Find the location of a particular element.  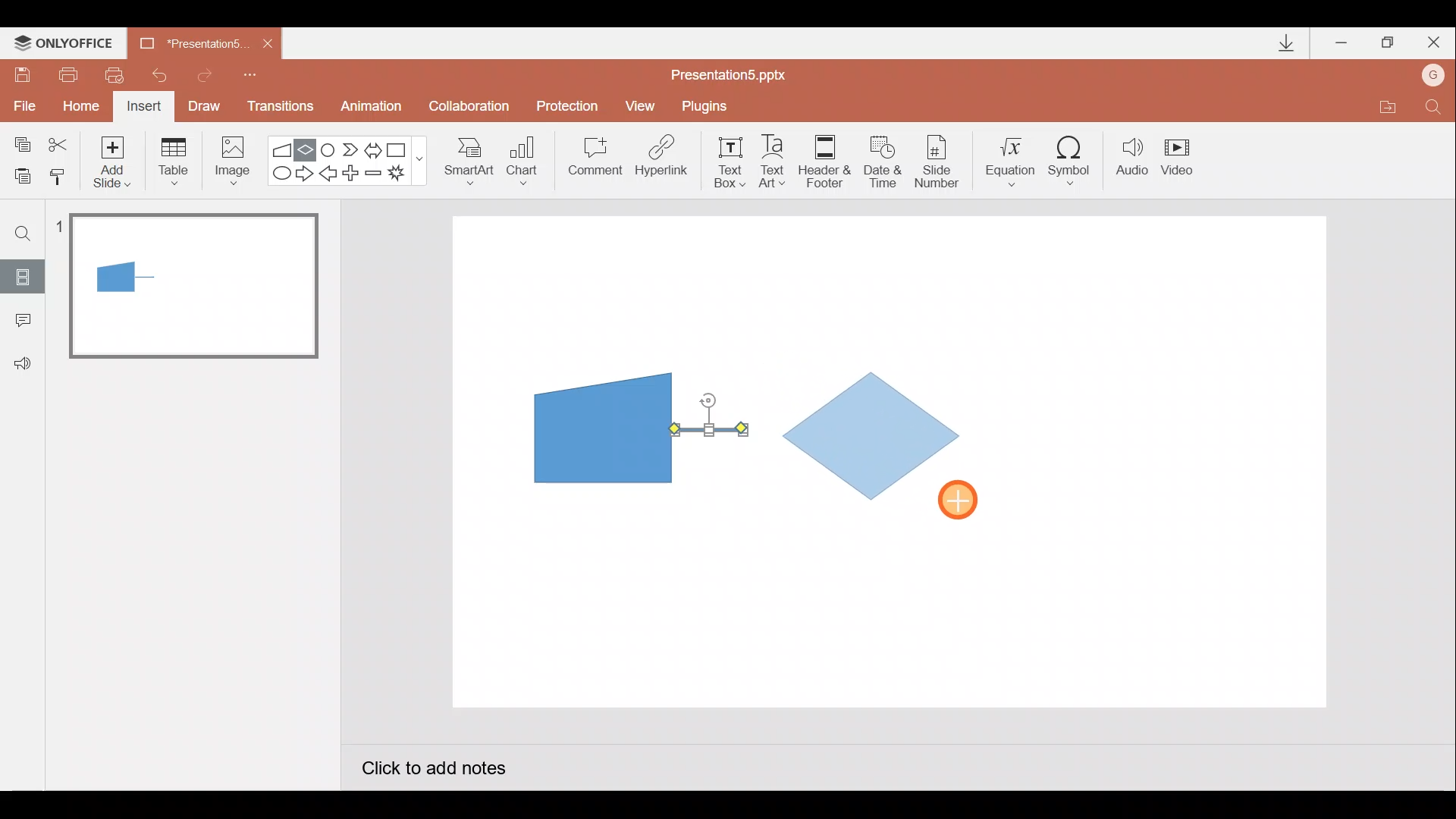

Header & footer is located at coordinates (824, 160).